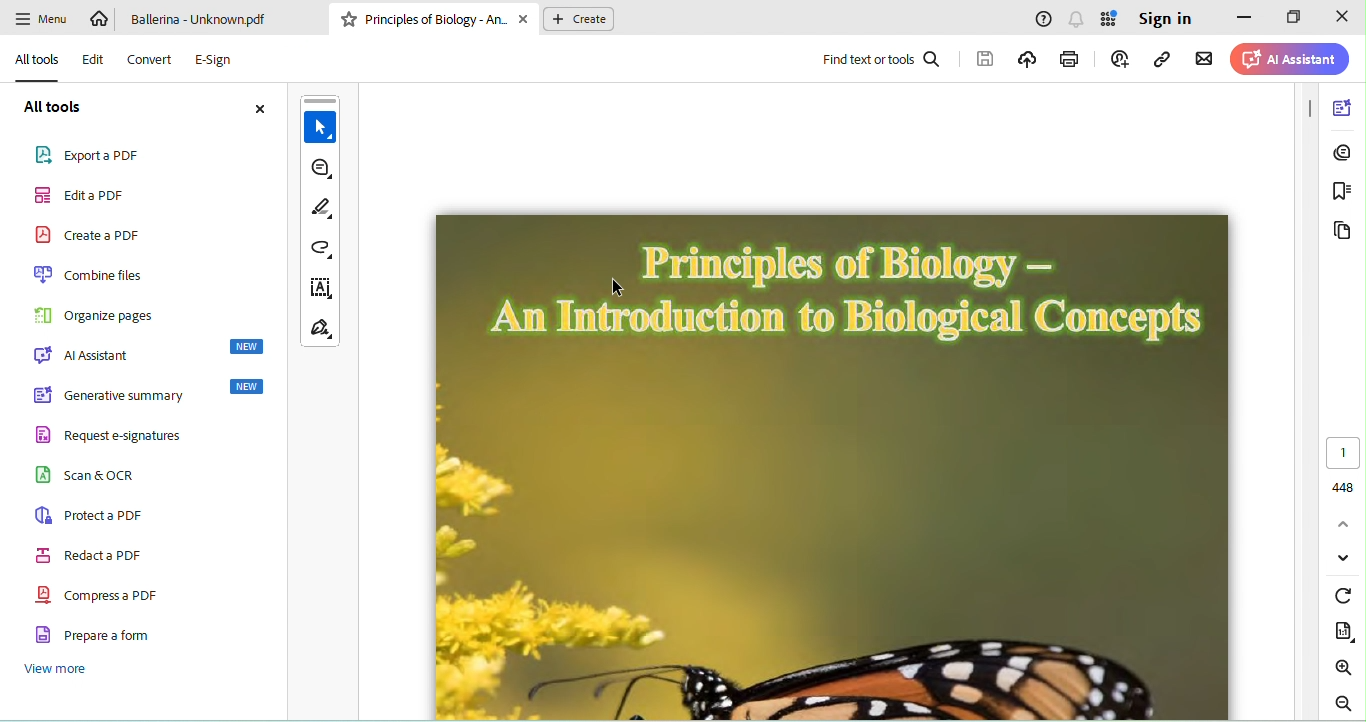  What do you see at coordinates (95, 314) in the screenshot?
I see `organize pages` at bounding box center [95, 314].